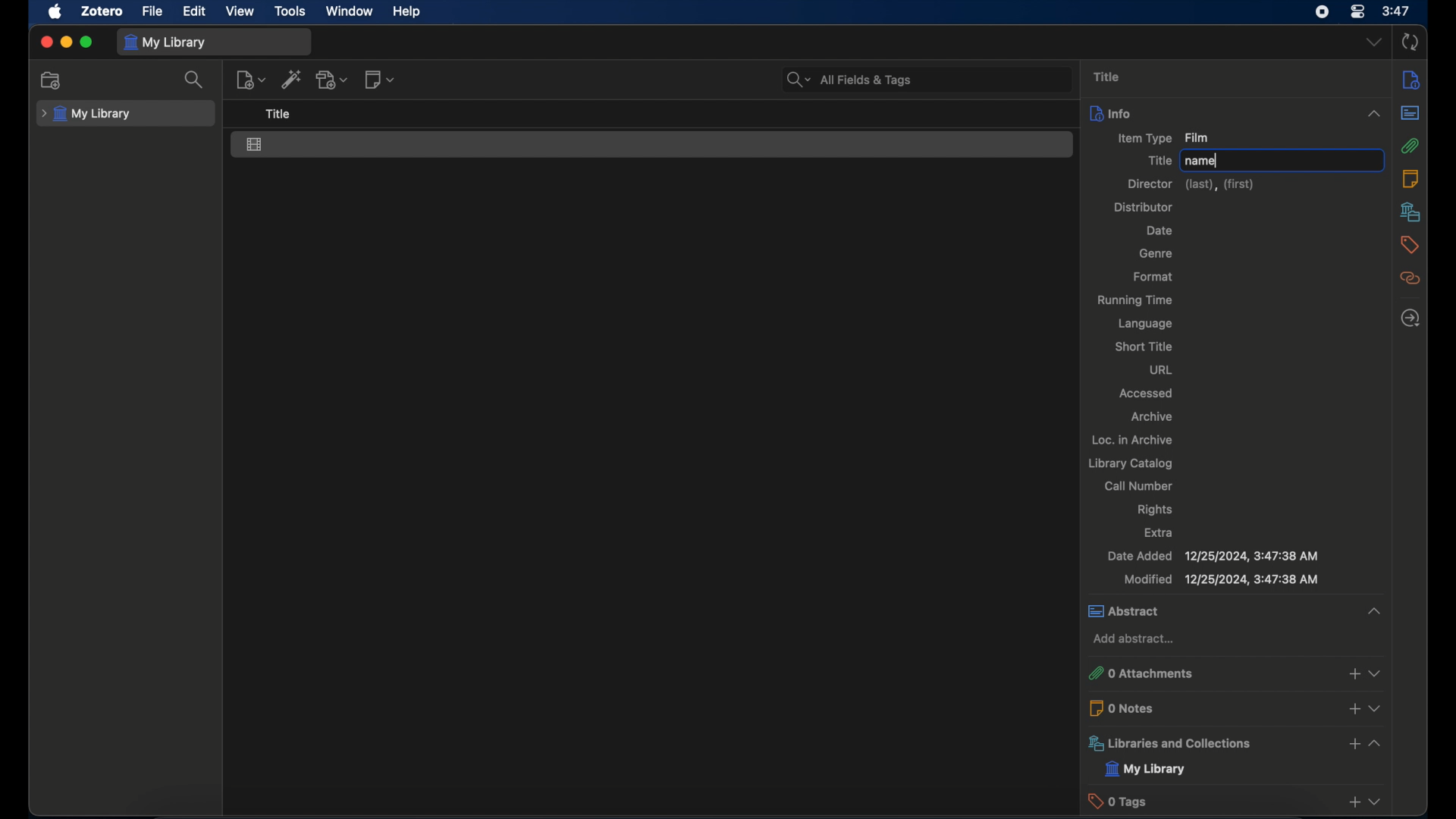  What do you see at coordinates (1323, 12) in the screenshot?
I see `screen recorder` at bounding box center [1323, 12].